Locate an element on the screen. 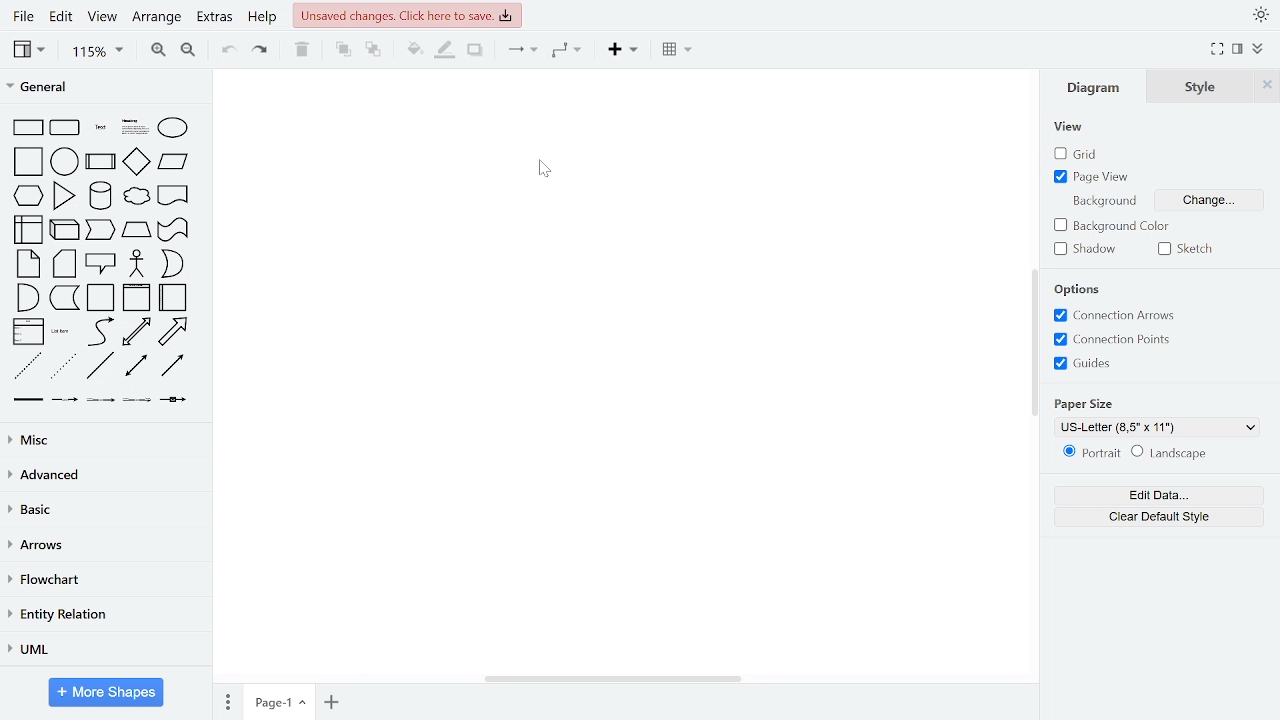 The height and width of the screenshot is (720, 1280). arrows is located at coordinates (102, 545).